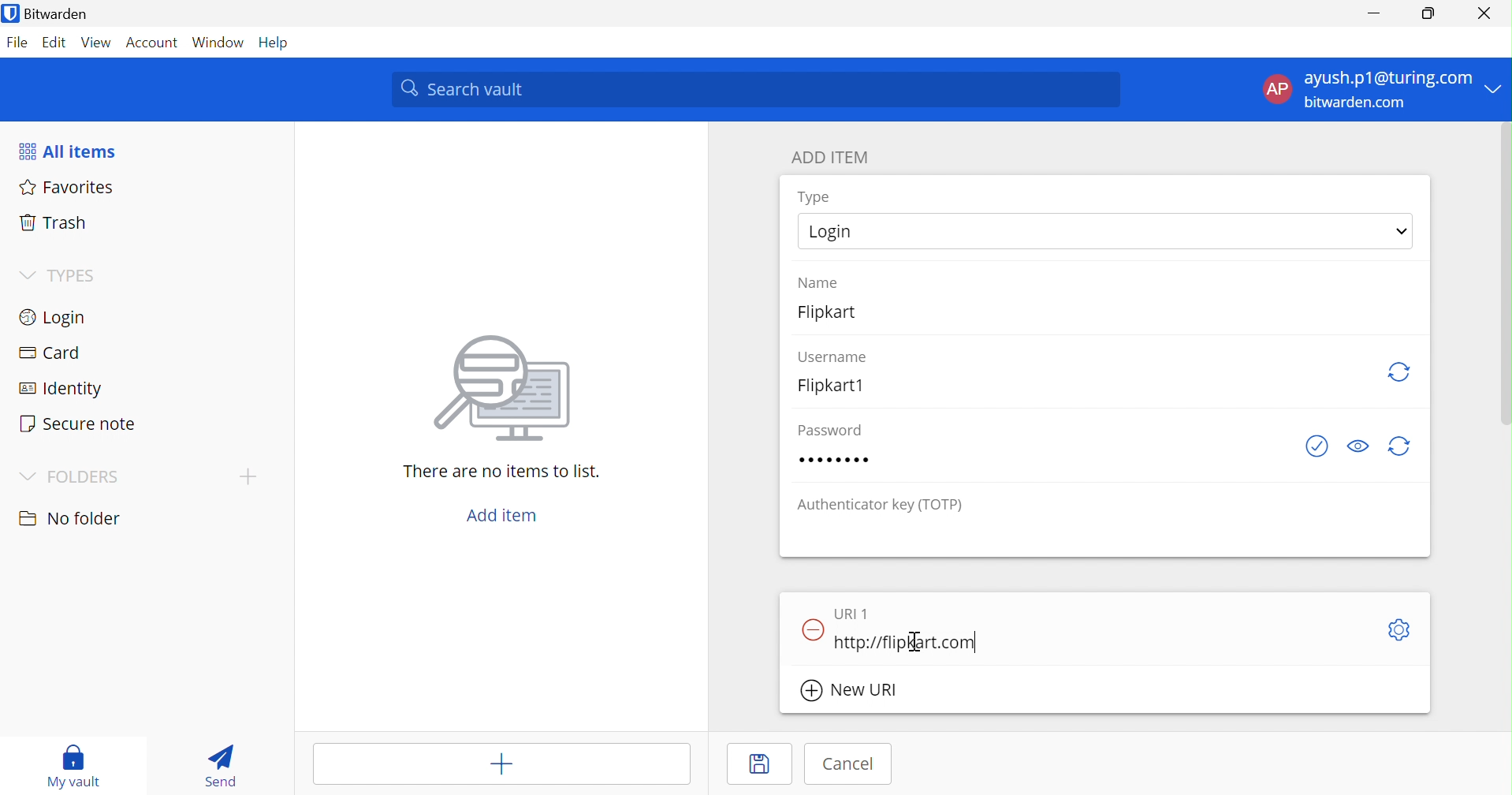  I want to click on Search Vault, so click(757, 89).